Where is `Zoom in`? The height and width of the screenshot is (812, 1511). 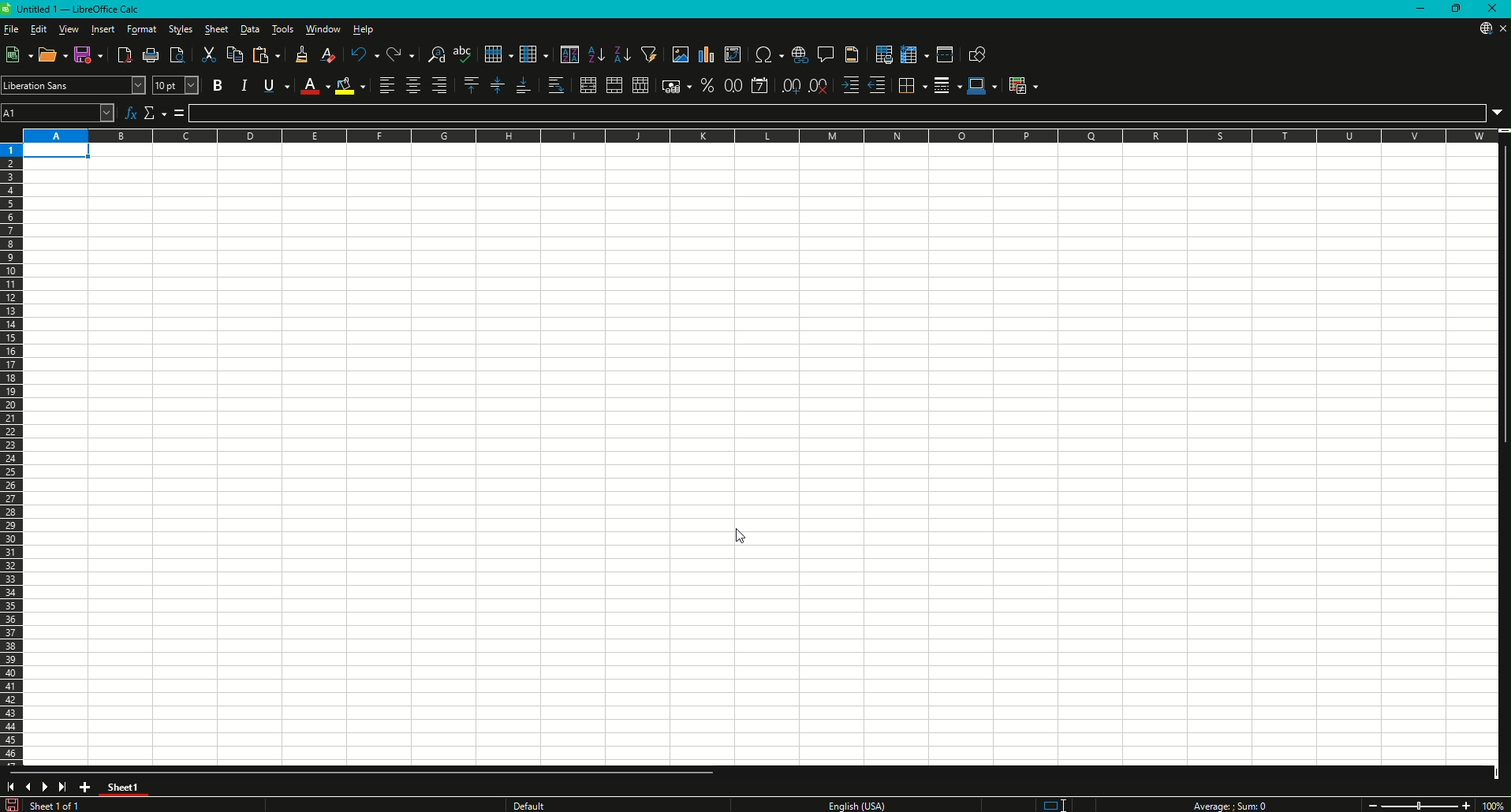
Zoom in is located at coordinates (1467, 806).